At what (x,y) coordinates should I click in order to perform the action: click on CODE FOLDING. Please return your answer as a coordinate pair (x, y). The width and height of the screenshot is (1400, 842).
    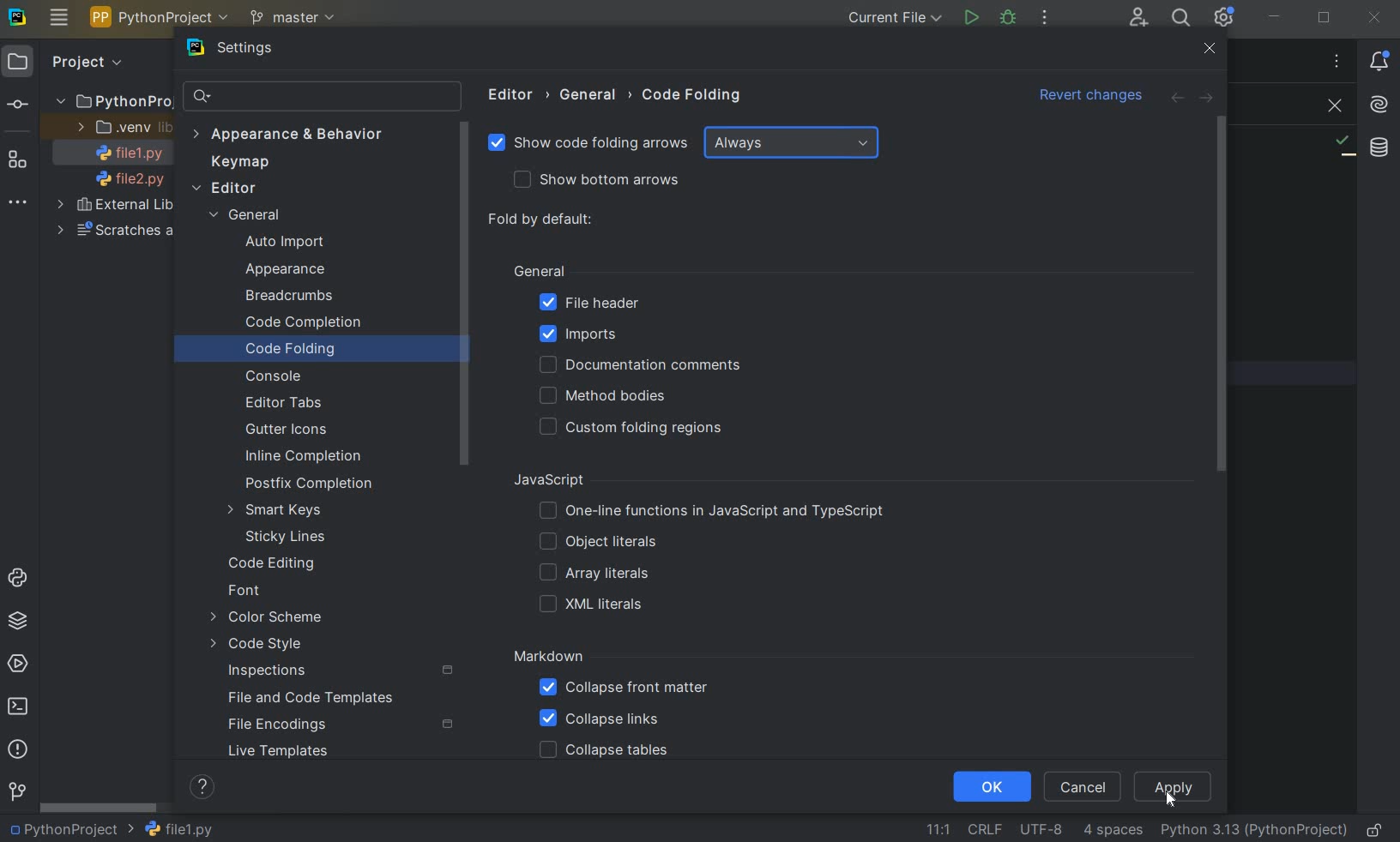
    Looking at the image, I should click on (693, 99).